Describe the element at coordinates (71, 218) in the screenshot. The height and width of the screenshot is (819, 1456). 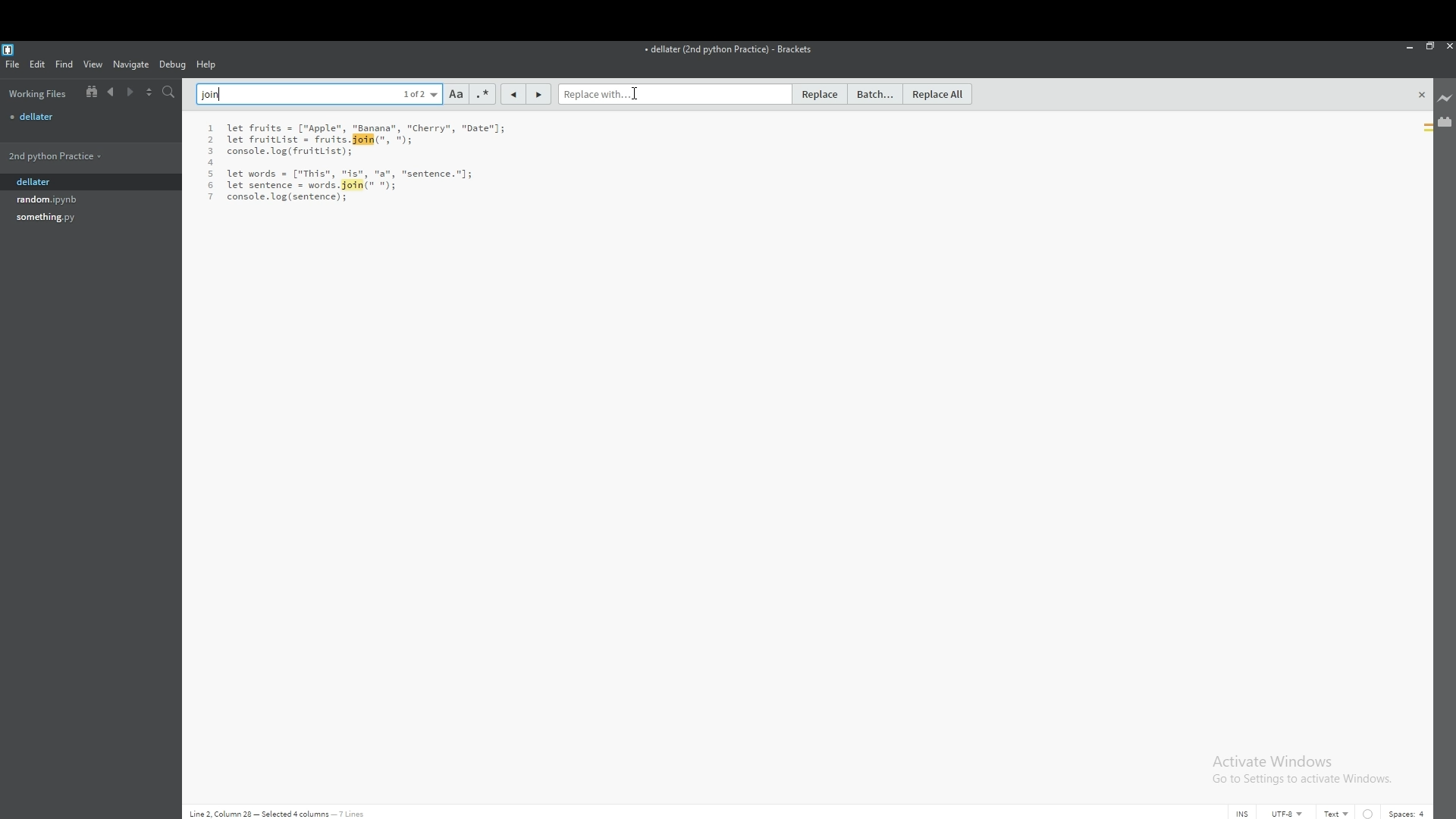
I see `file` at that location.